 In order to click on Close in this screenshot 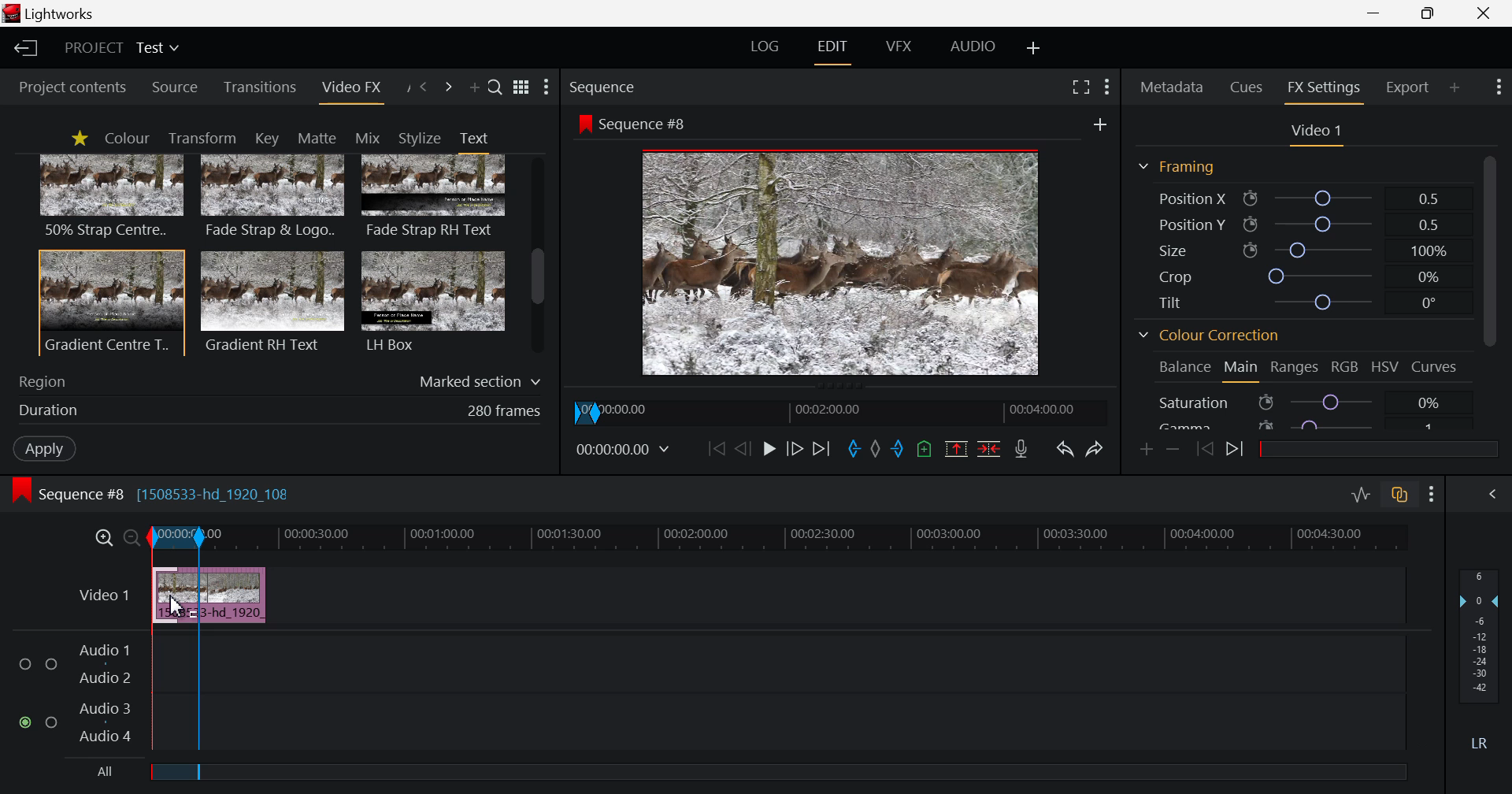, I will do `click(1485, 13)`.